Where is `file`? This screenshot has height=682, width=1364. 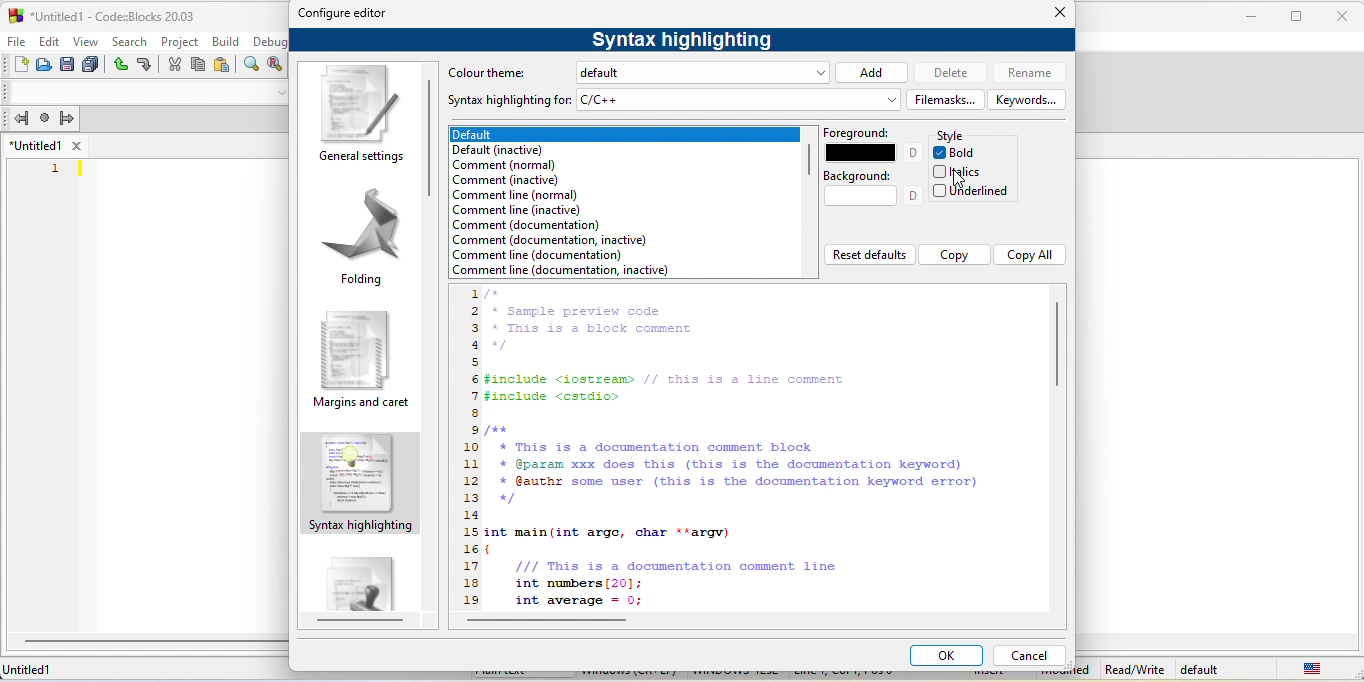 file is located at coordinates (14, 41).